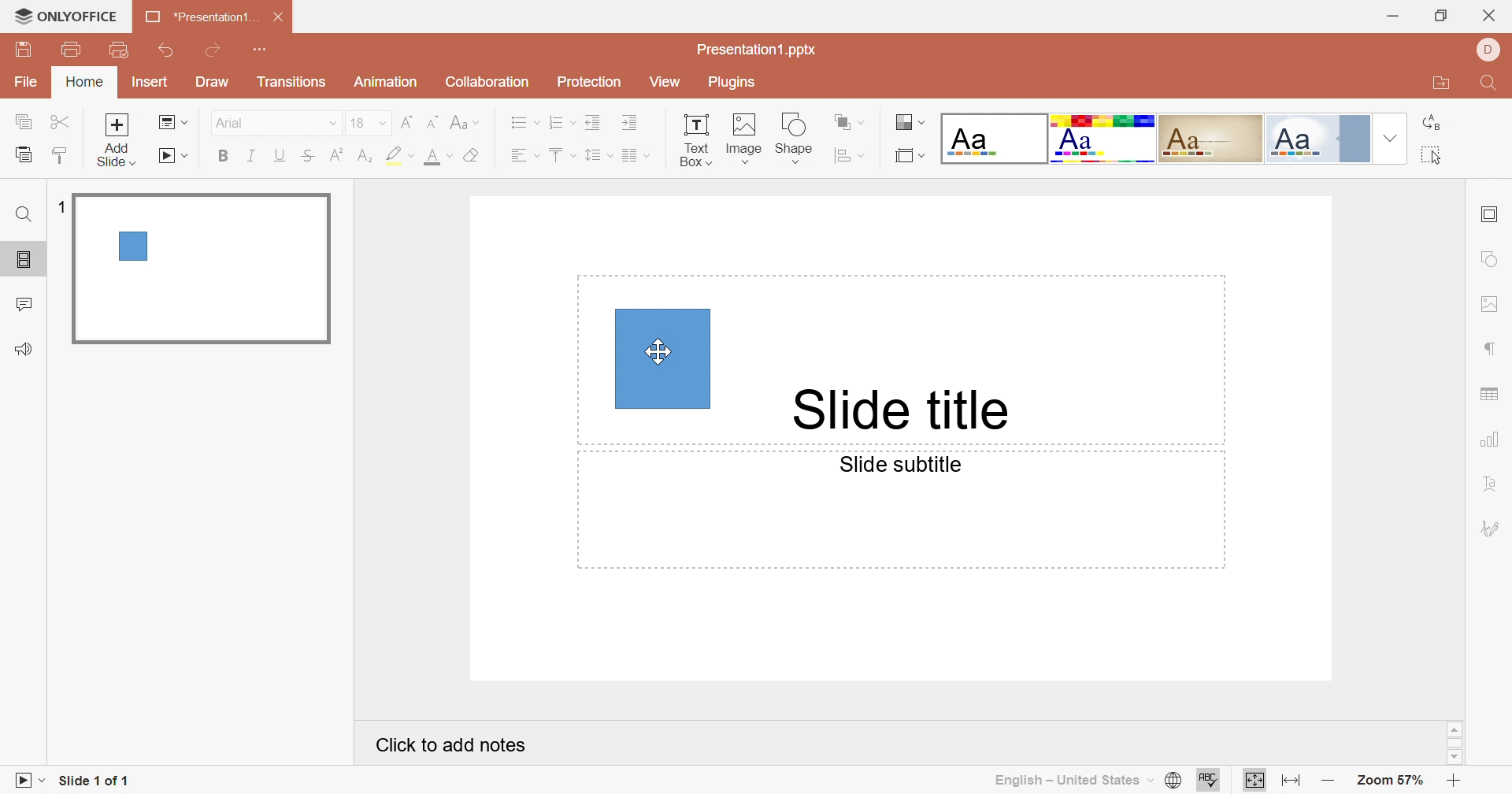 The width and height of the screenshot is (1512, 794). What do you see at coordinates (1492, 216) in the screenshot?
I see `Slide settings` at bounding box center [1492, 216].